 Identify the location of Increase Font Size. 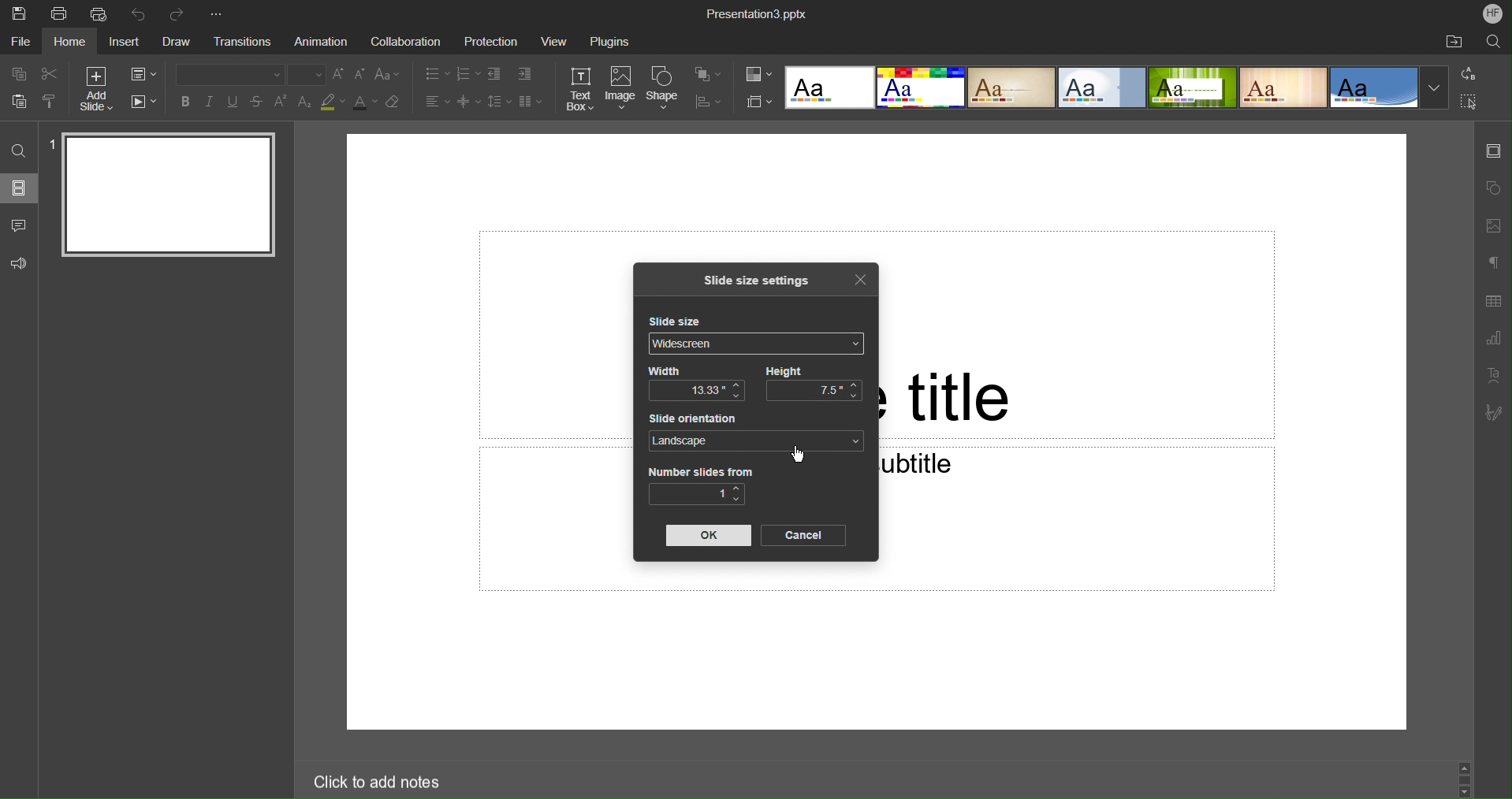
(340, 75).